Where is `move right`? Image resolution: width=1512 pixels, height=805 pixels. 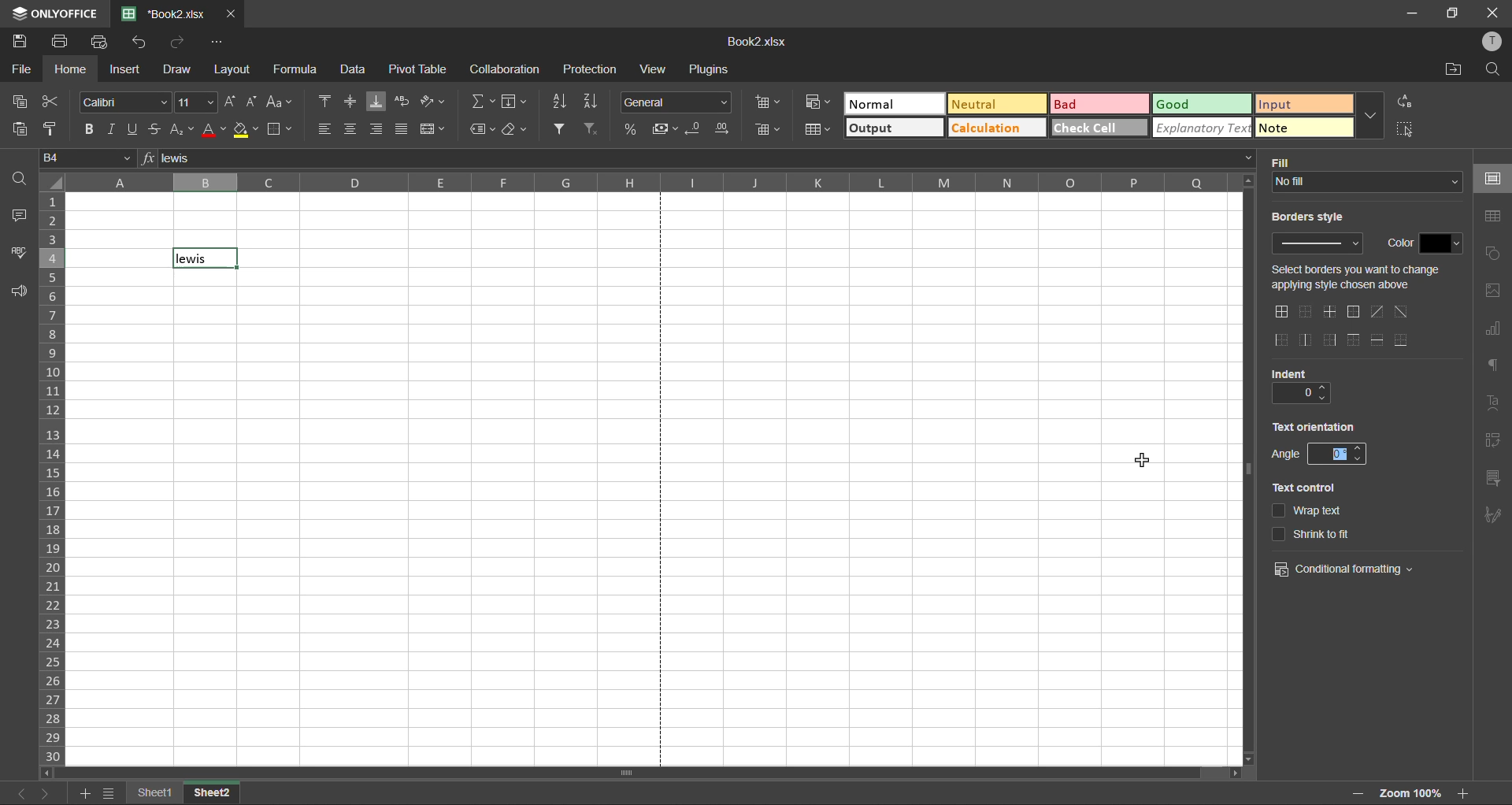 move right is located at coordinates (1230, 774).